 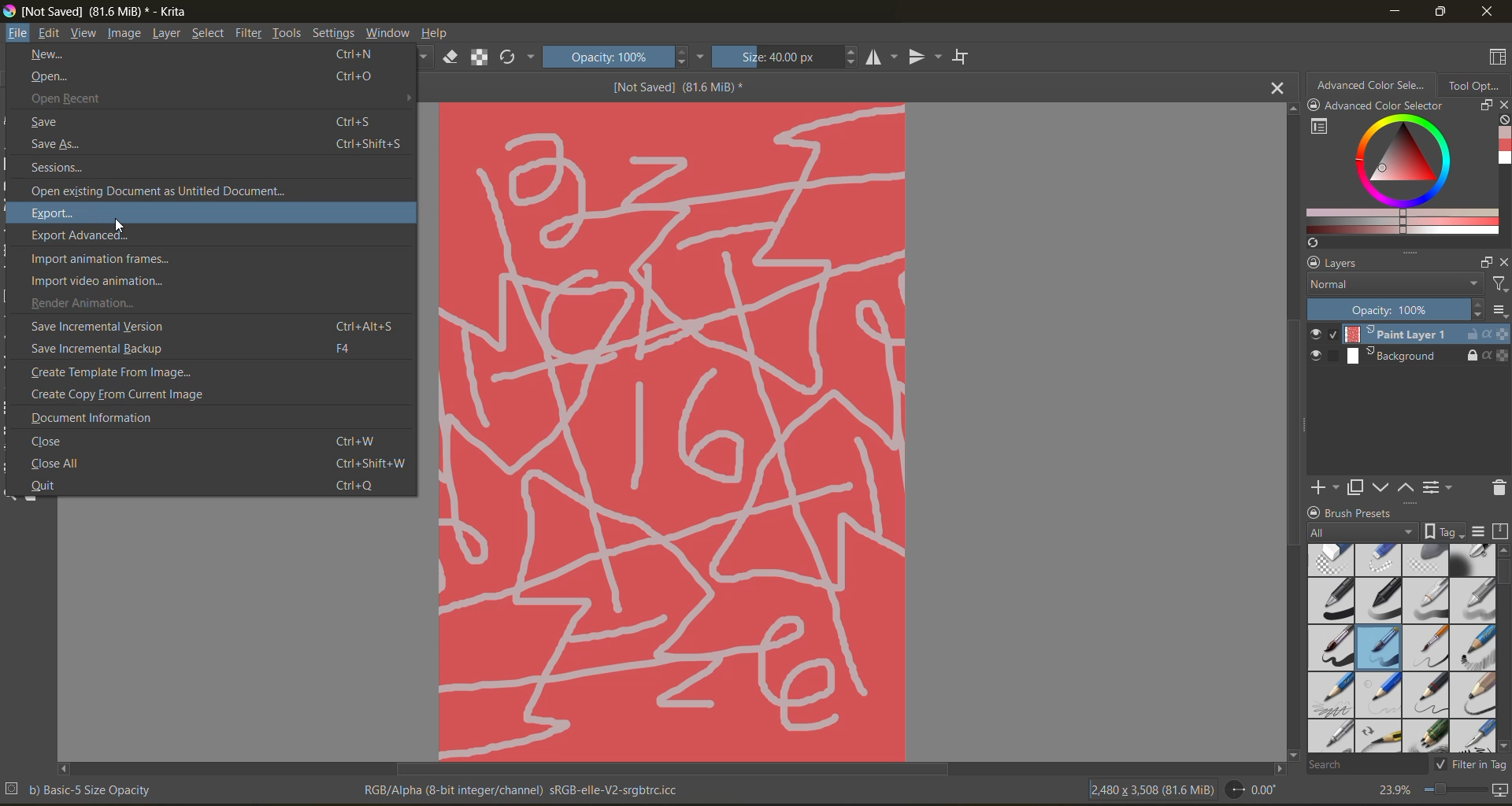 What do you see at coordinates (197, 348) in the screenshot?
I see `save incremental backup` at bounding box center [197, 348].